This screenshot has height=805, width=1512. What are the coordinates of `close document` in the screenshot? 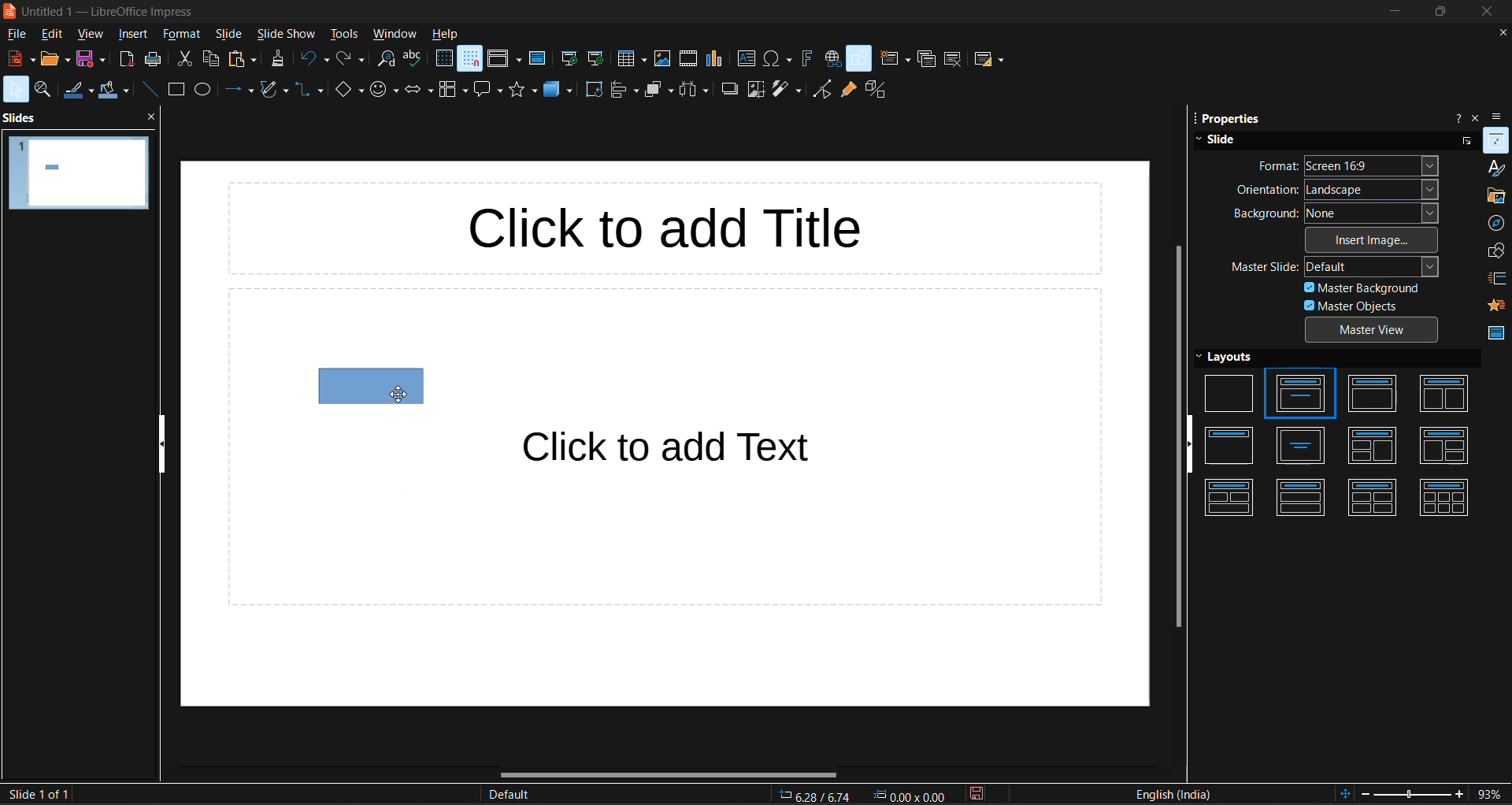 It's located at (1503, 32).